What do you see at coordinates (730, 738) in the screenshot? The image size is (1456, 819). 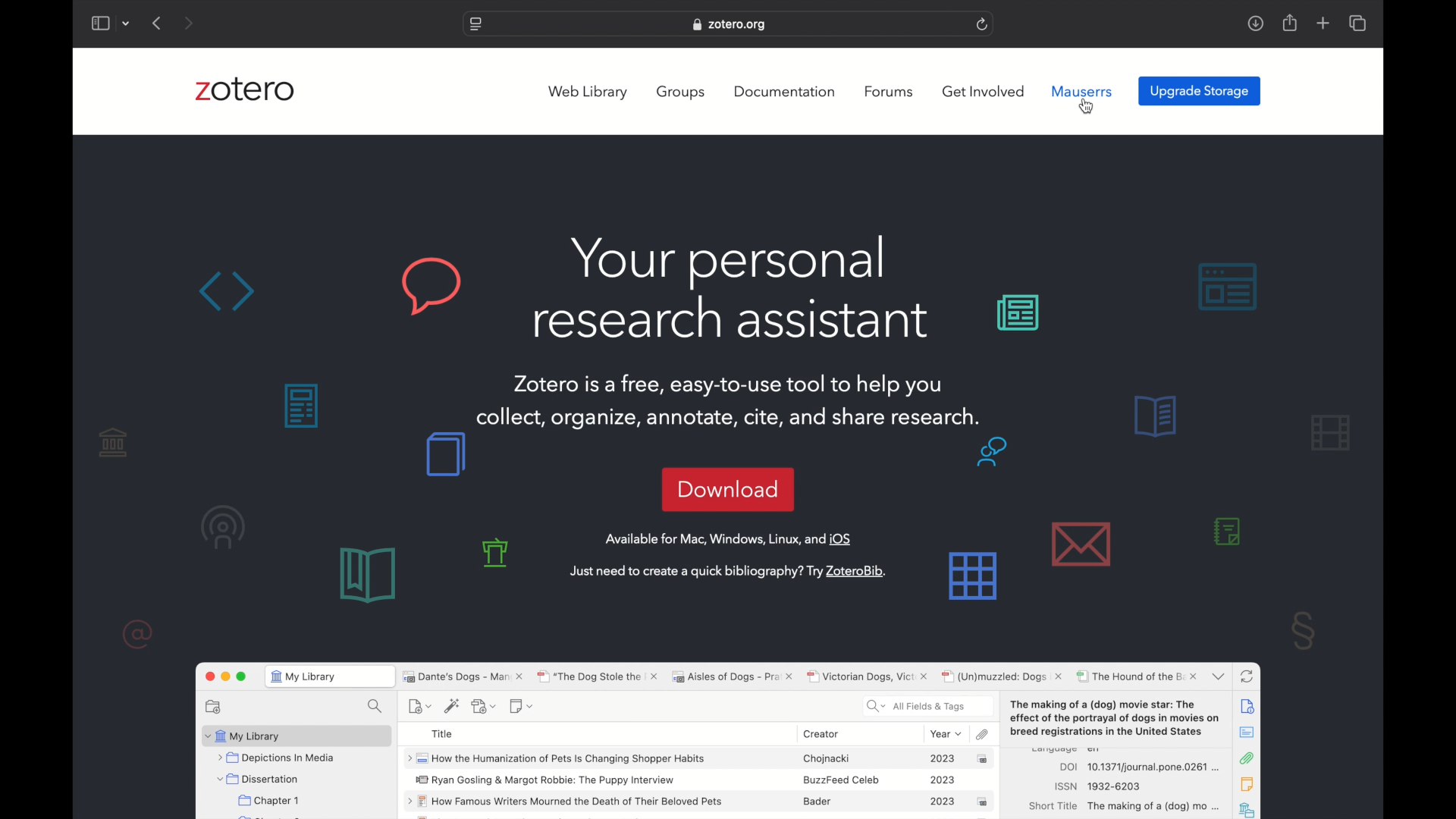 I see `zotero sotware preview` at bounding box center [730, 738].